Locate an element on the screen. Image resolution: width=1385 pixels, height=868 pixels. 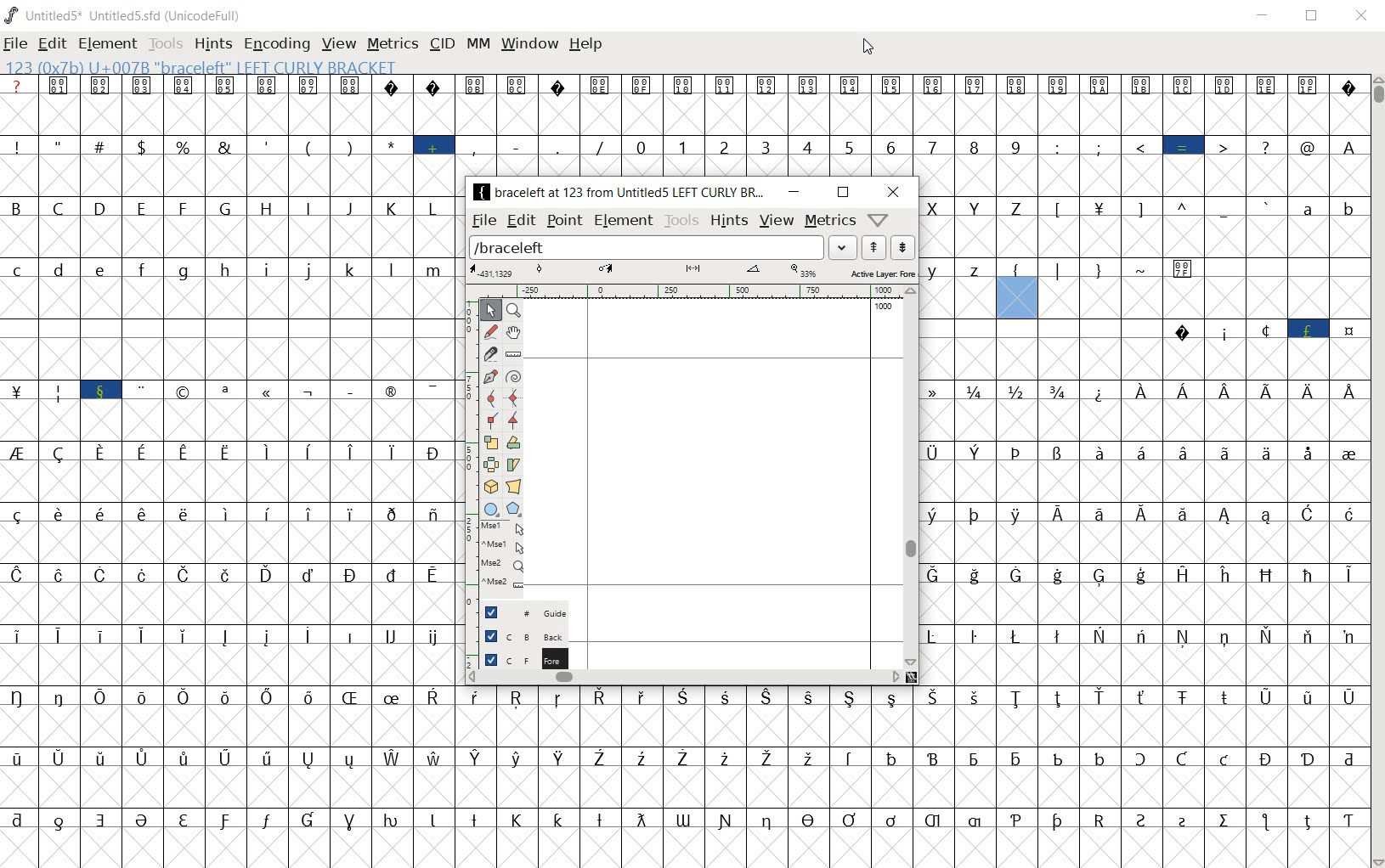
perform a perspective transformation on the selection is located at coordinates (514, 486).